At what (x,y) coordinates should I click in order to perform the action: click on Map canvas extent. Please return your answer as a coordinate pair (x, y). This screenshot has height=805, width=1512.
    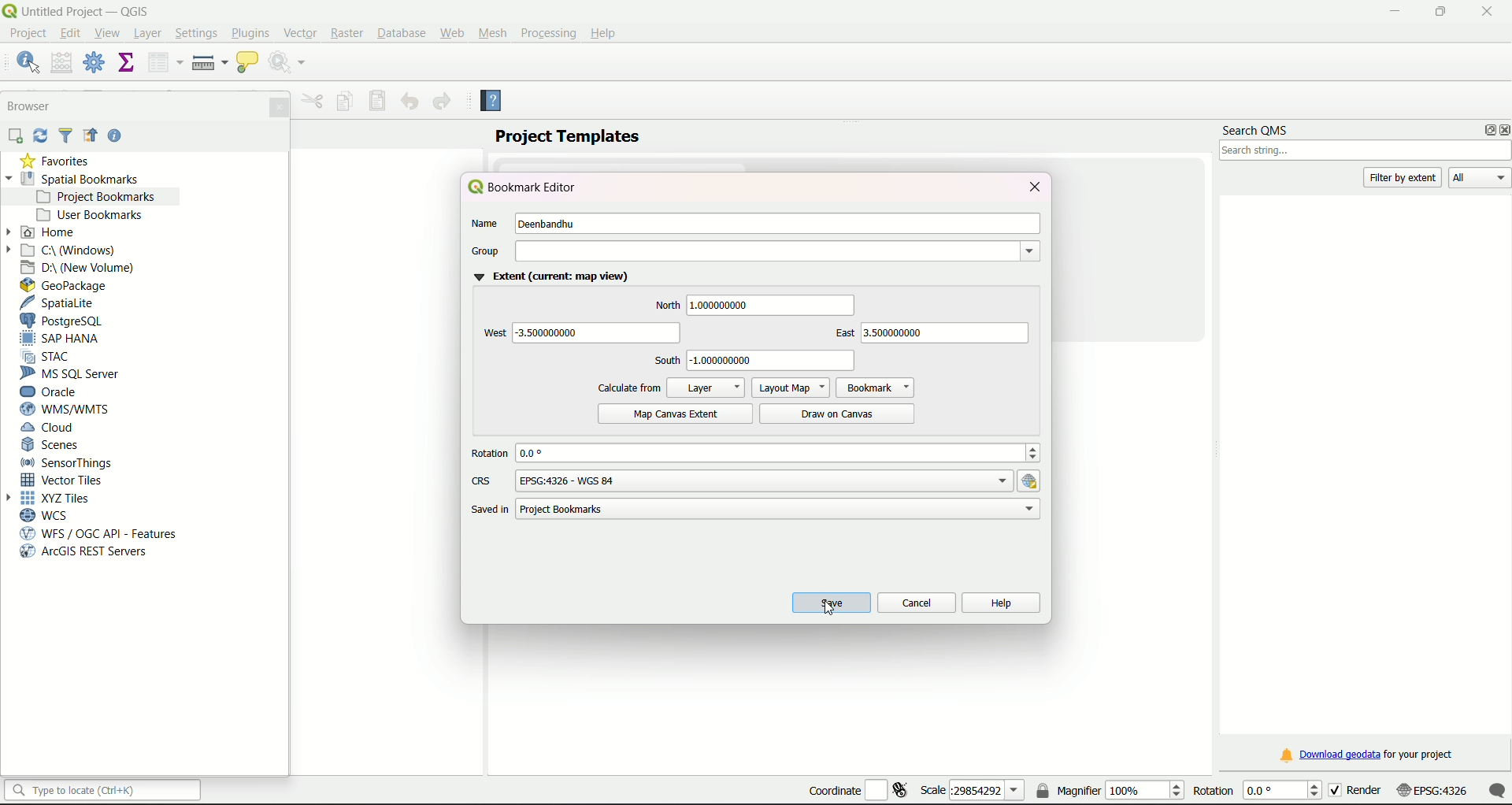
    Looking at the image, I should click on (676, 414).